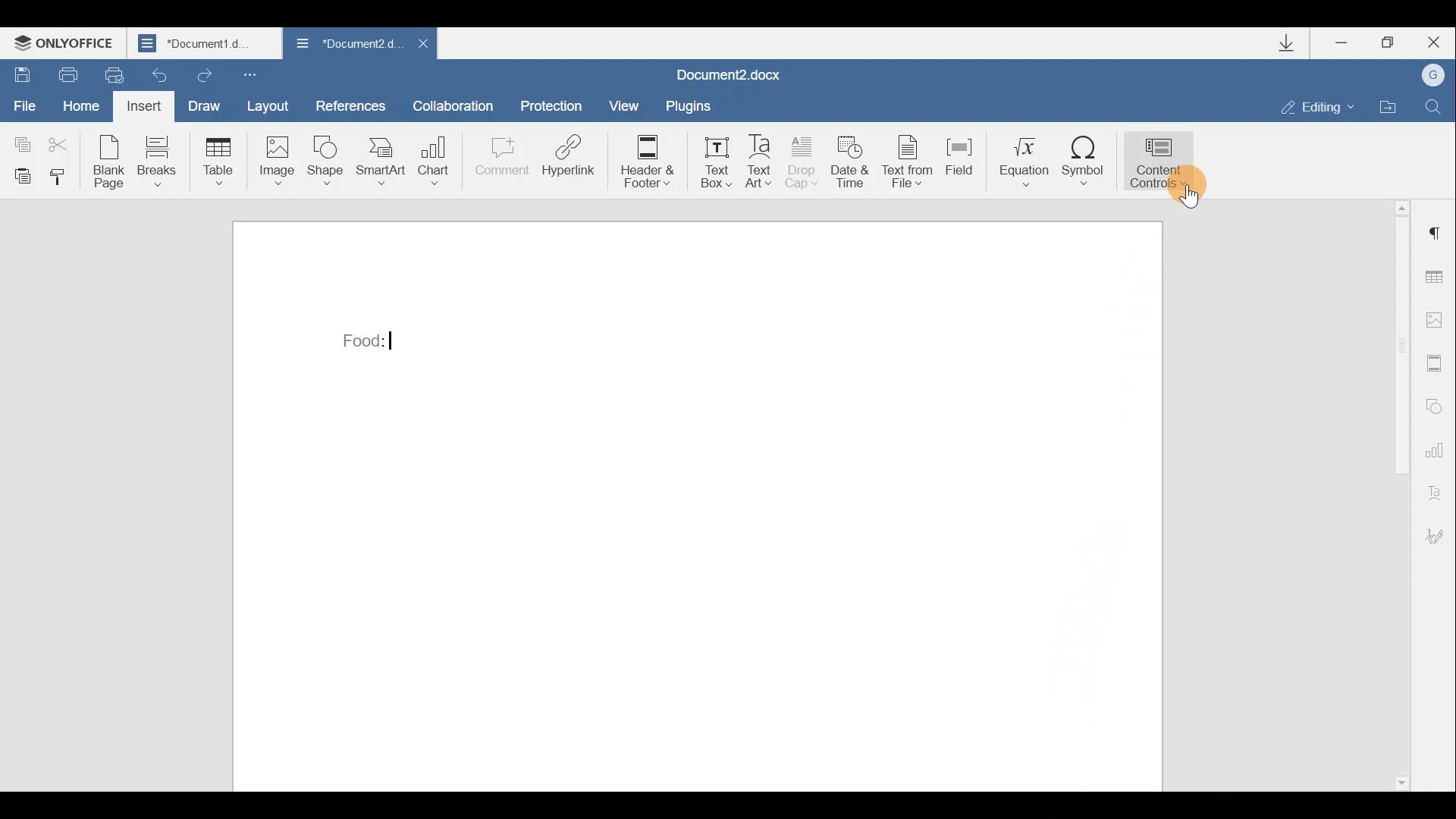 The width and height of the screenshot is (1456, 819). Describe the element at coordinates (761, 162) in the screenshot. I see `Text Art` at that location.